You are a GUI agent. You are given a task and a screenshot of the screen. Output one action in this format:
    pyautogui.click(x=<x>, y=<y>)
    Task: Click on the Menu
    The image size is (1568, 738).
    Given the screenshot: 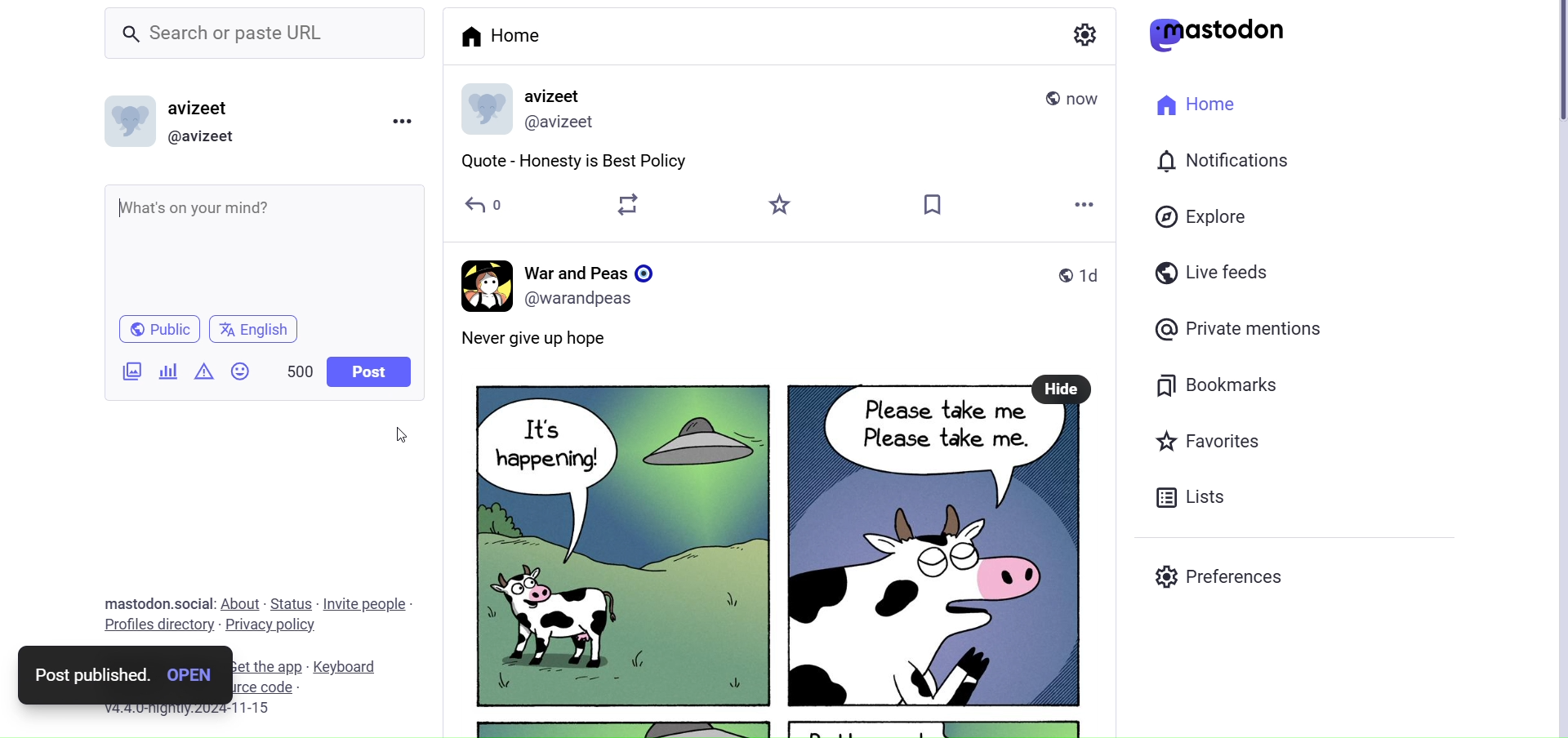 What is the action you would take?
    pyautogui.click(x=406, y=119)
    